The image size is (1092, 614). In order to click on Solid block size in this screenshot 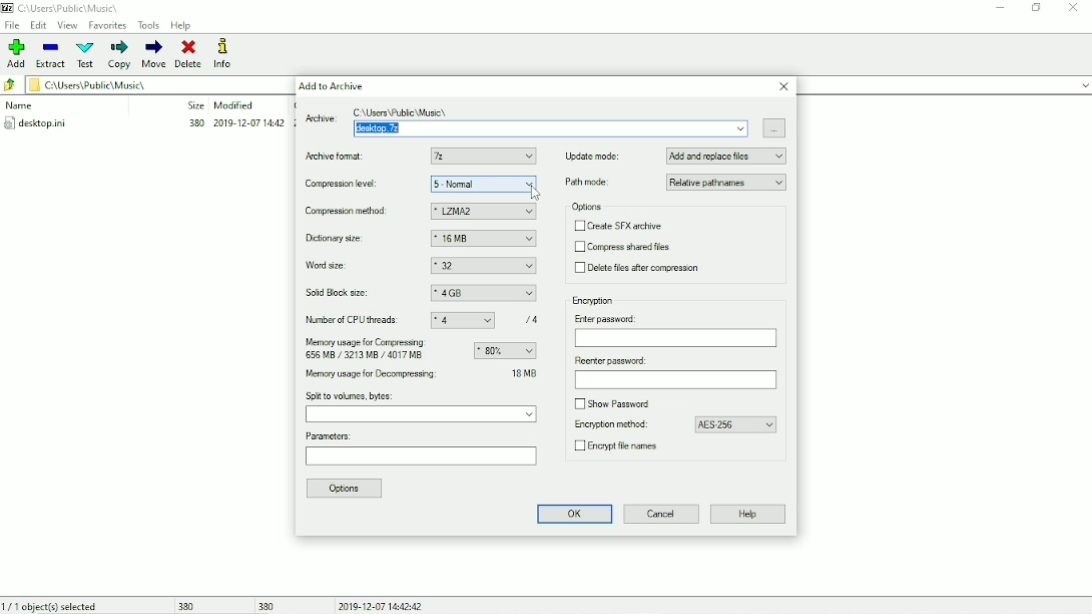, I will do `click(339, 293)`.